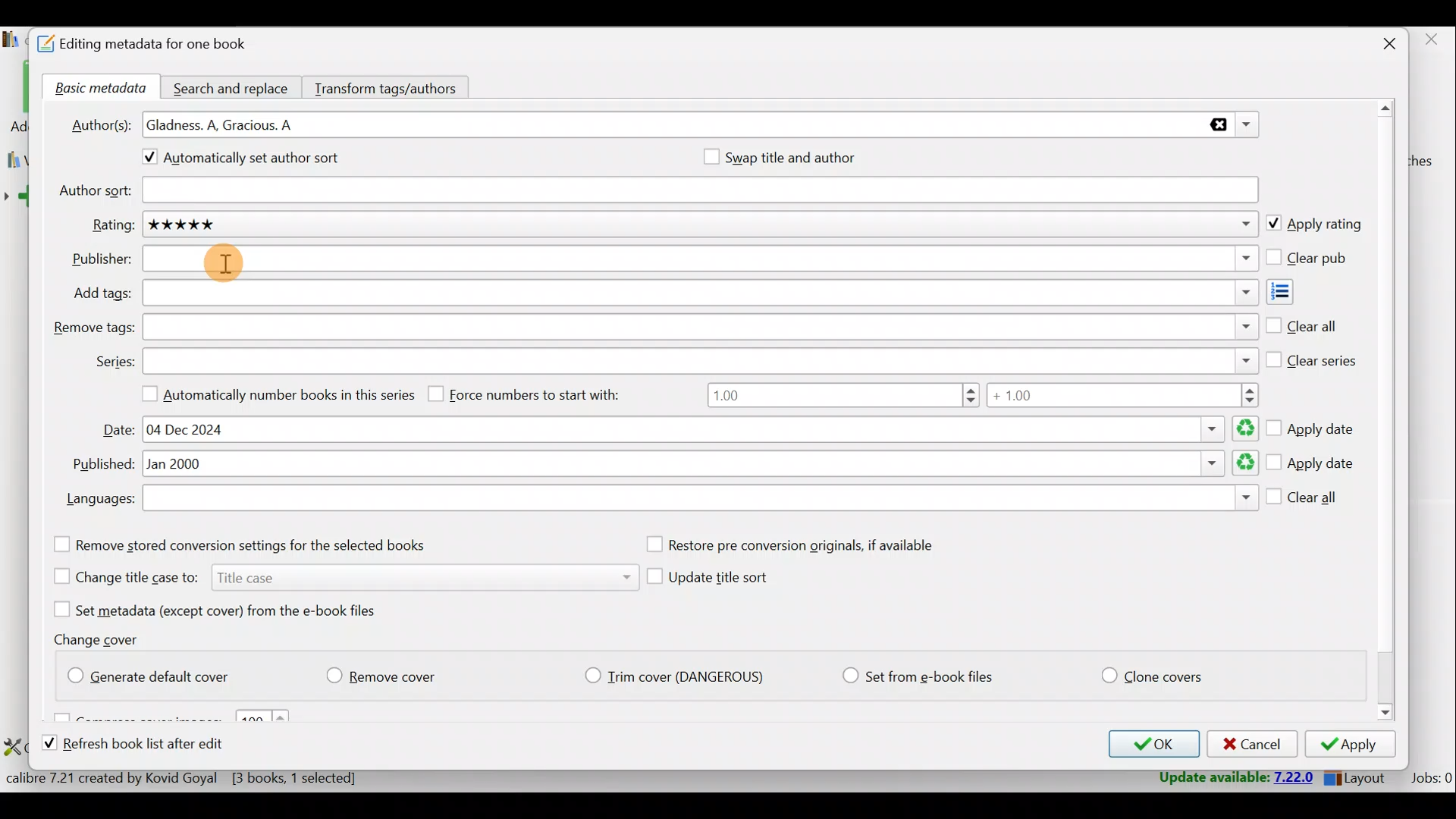 This screenshot has width=1456, height=819. Describe the element at coordinates (102, 259) in the screenshot. I see `Publisher:` at that location.